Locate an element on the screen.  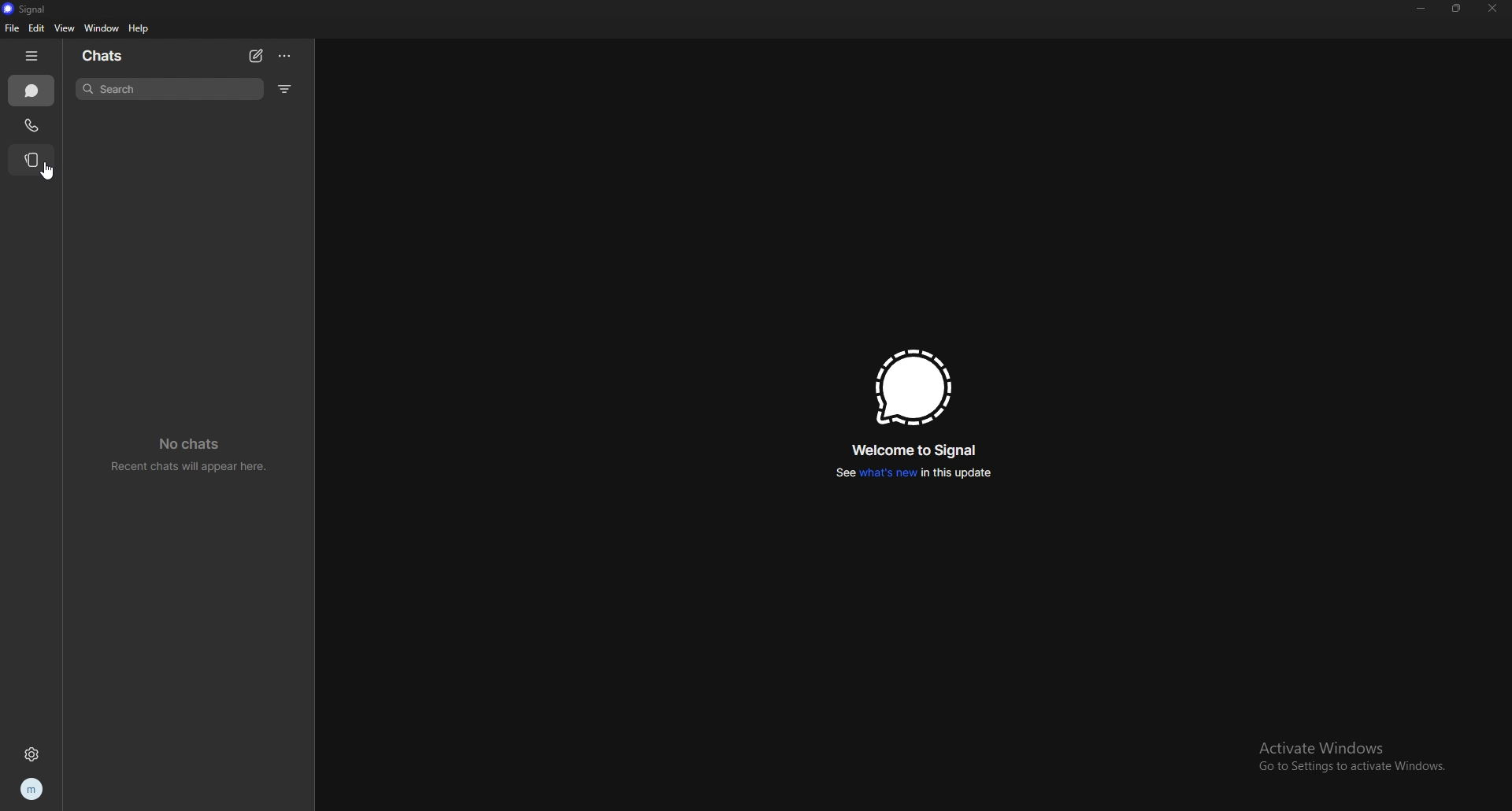
hide tab is located at coordinates (32, 54).